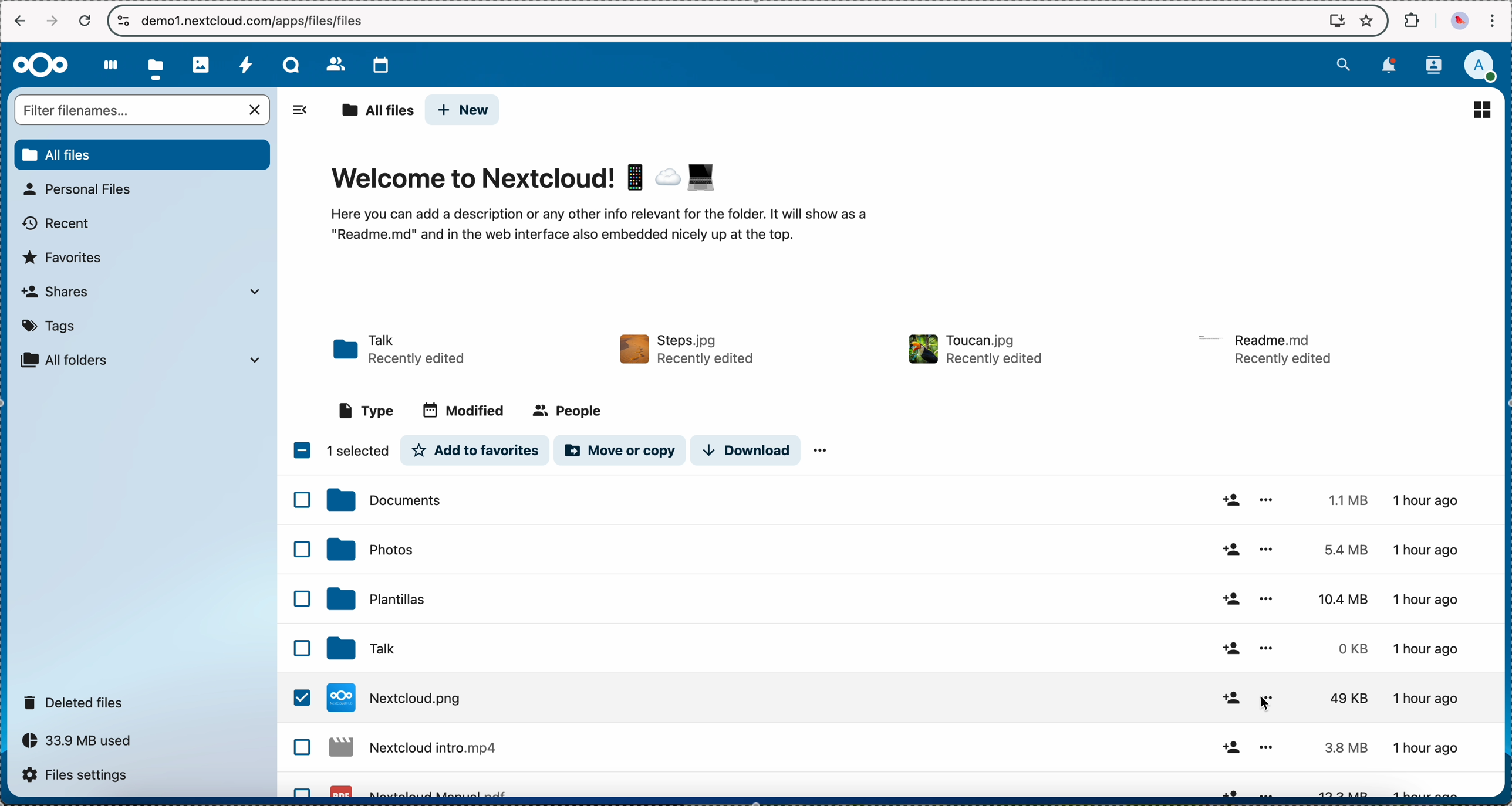  What do you see at coordinates (291, 63) in the screenshot?
I see `Talk` at bounding box center [291, 63].